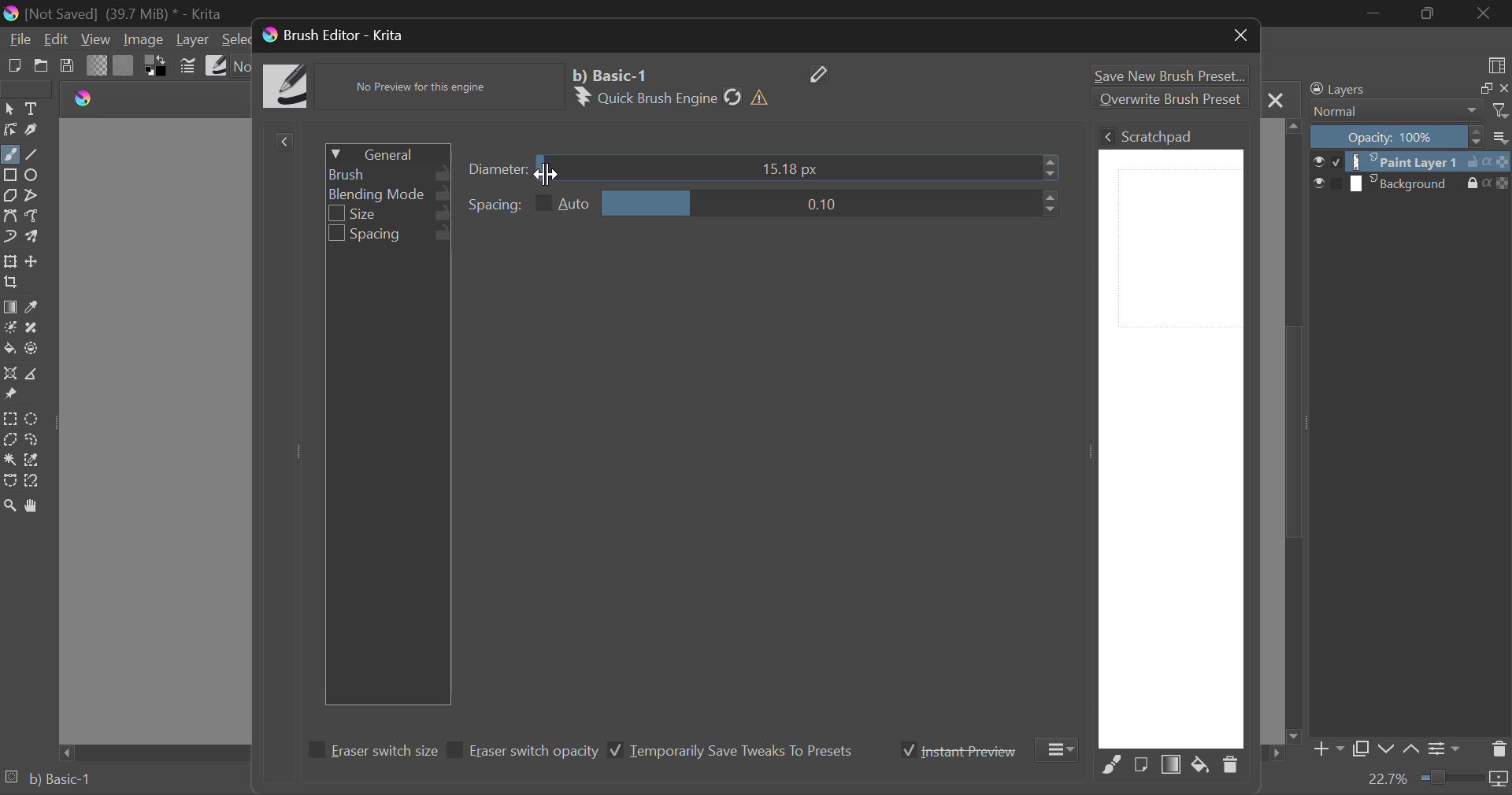 This screenshot has width=1512, height=795. What do you see at coordinates (959, 750) in the screenshot?
I see `Instant Preview` at bounding box center [959, 750].